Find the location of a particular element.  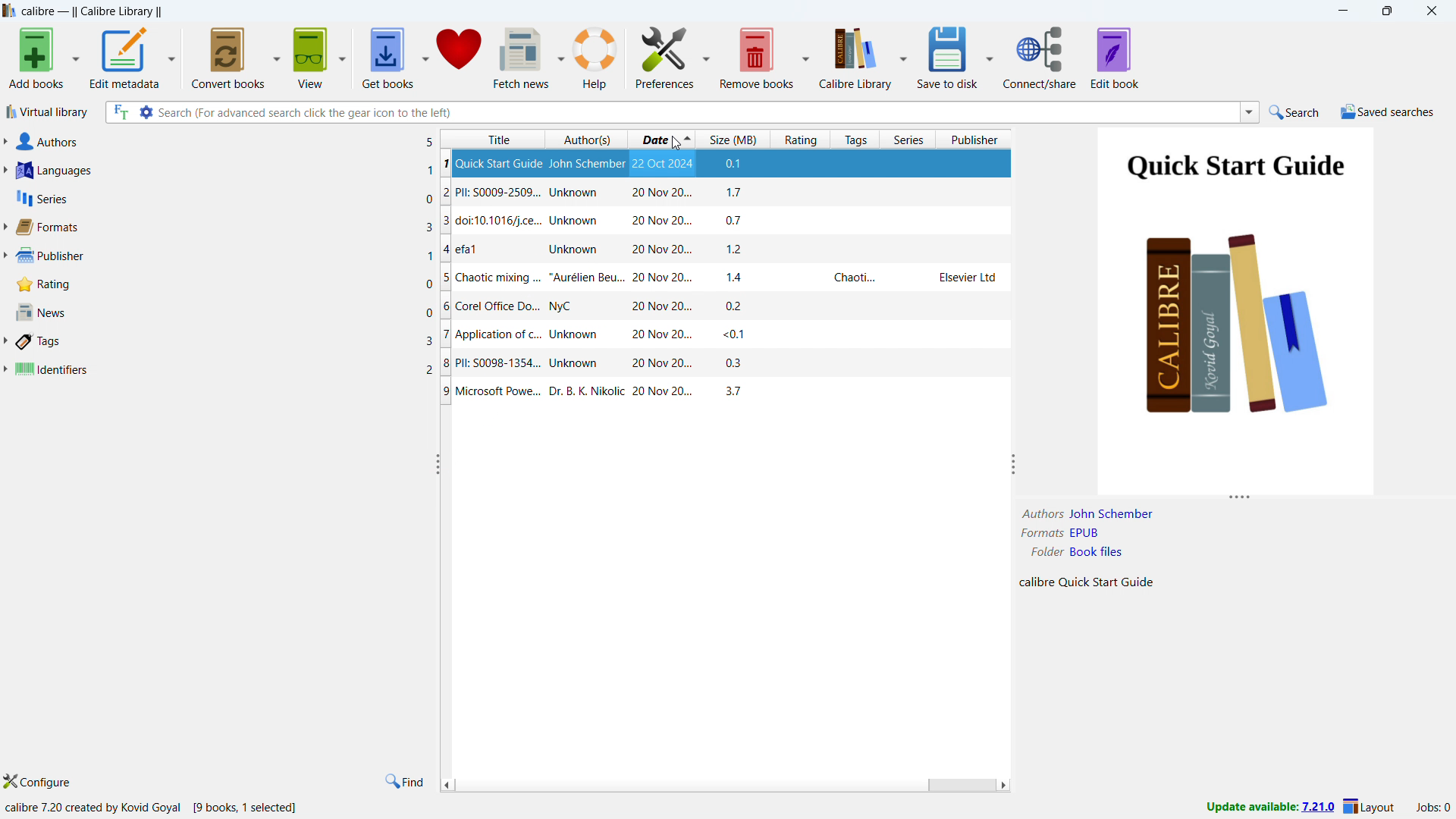

Chaotic.. is located at coordinates (851, 279).